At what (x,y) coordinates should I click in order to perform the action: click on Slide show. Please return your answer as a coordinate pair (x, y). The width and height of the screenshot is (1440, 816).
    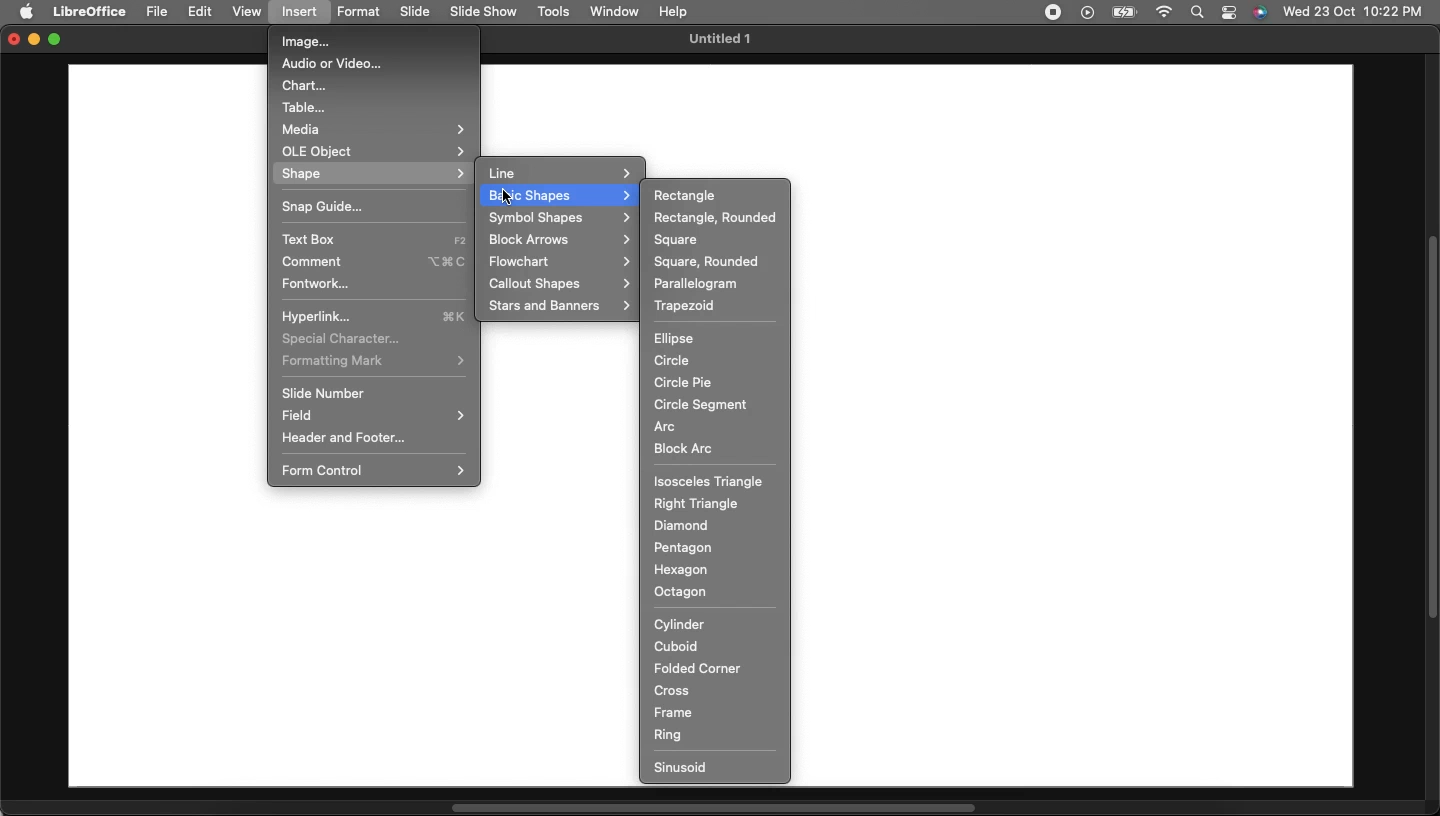
    Looking at the image, I should click on (483, 11).